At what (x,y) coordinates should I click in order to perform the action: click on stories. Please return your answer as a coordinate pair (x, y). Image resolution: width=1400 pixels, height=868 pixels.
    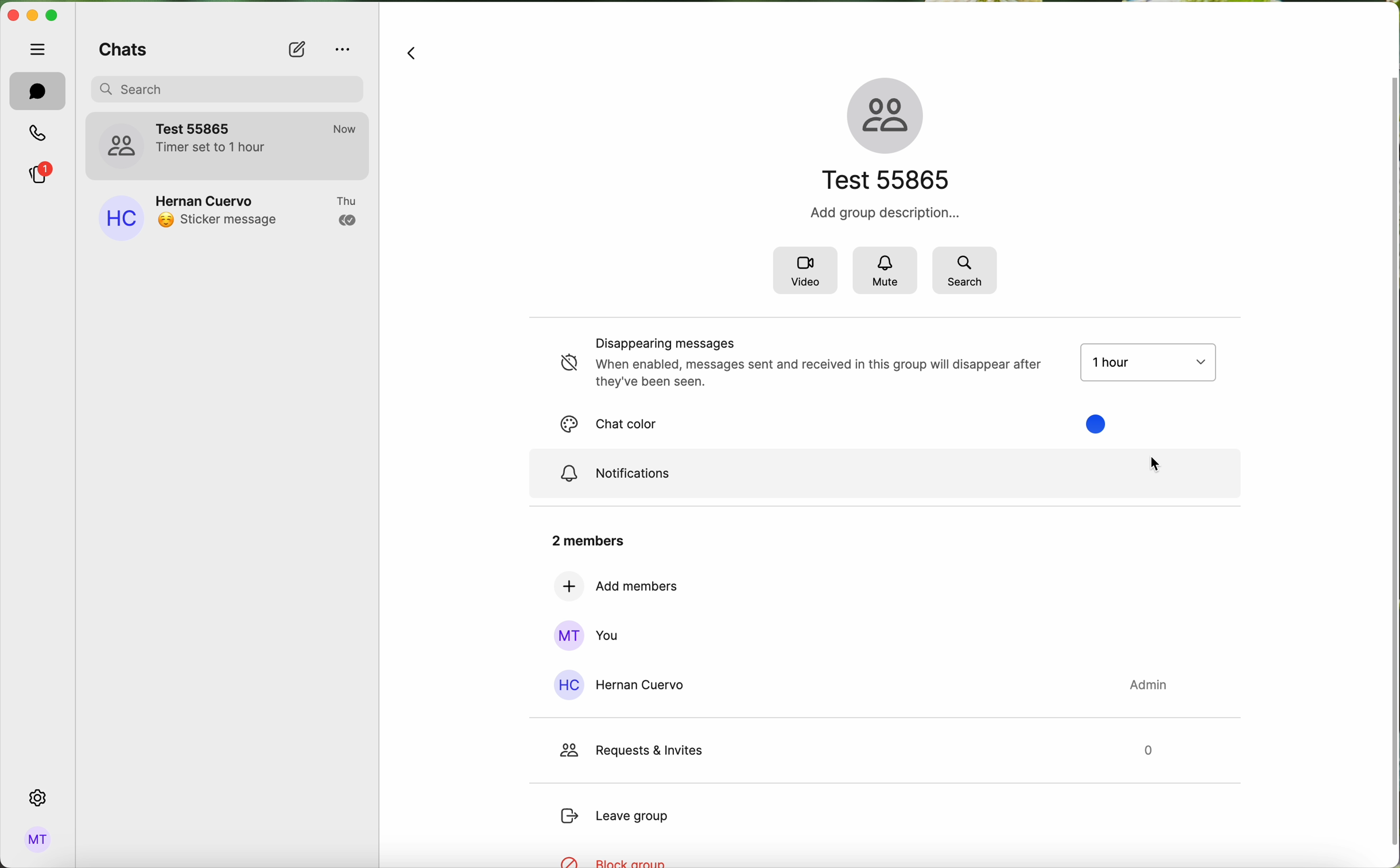
    Looking at the image, I should click on (39, 172).